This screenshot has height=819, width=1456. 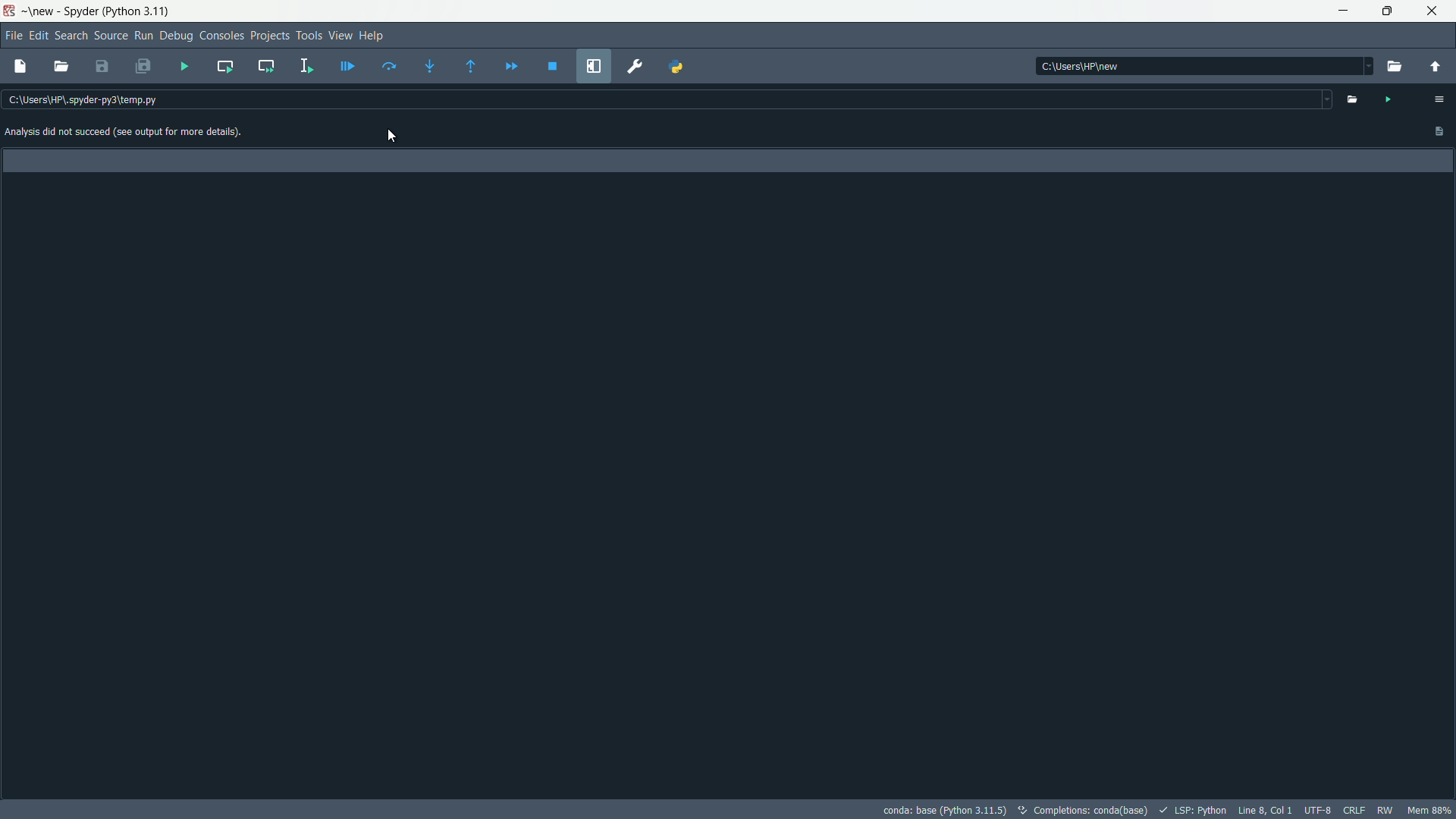 I want to click on run file, so click(x=1390, y=99).